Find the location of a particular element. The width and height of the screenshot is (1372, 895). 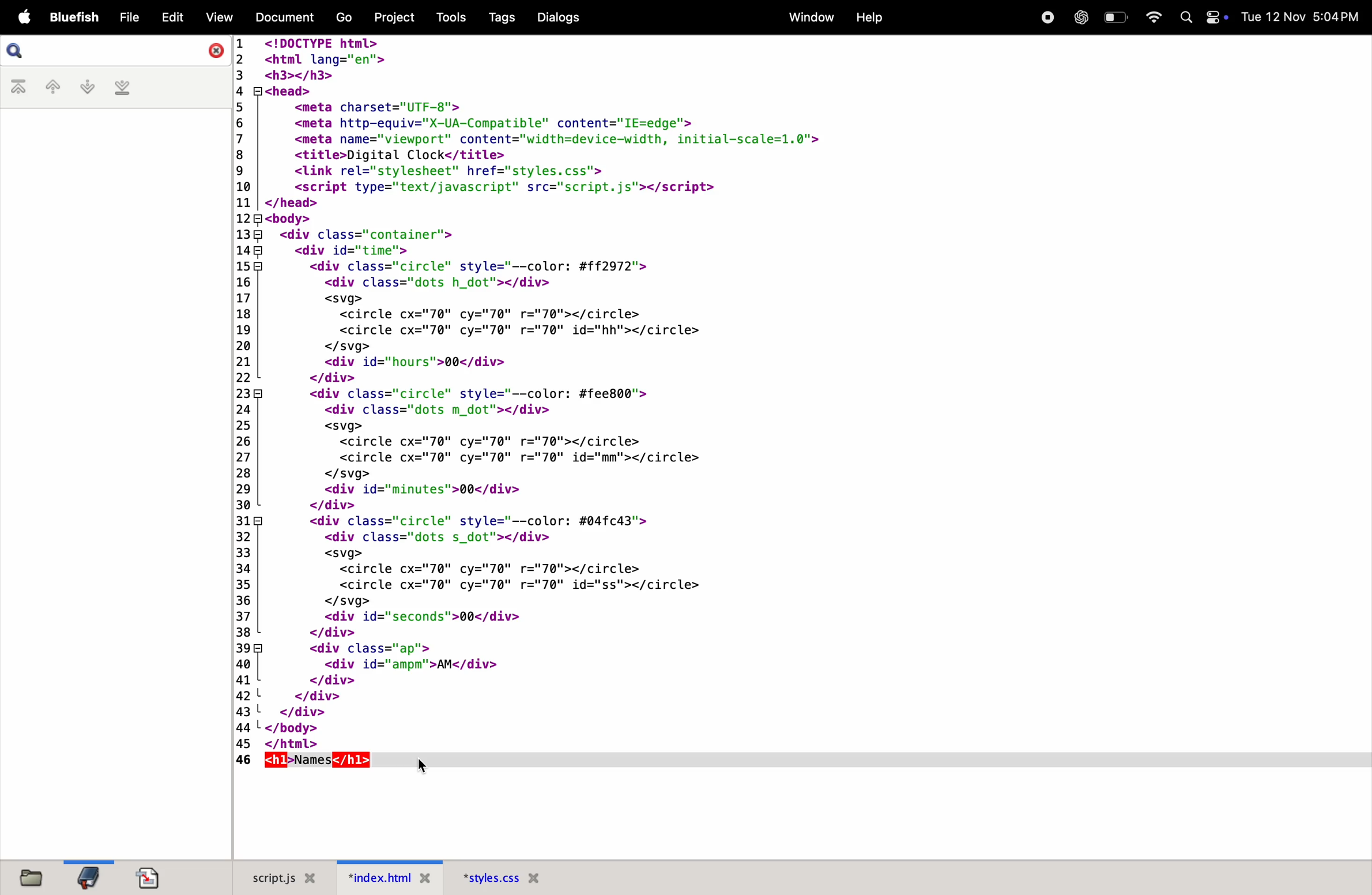

nextbook mark is located at coordinates (86, 86).